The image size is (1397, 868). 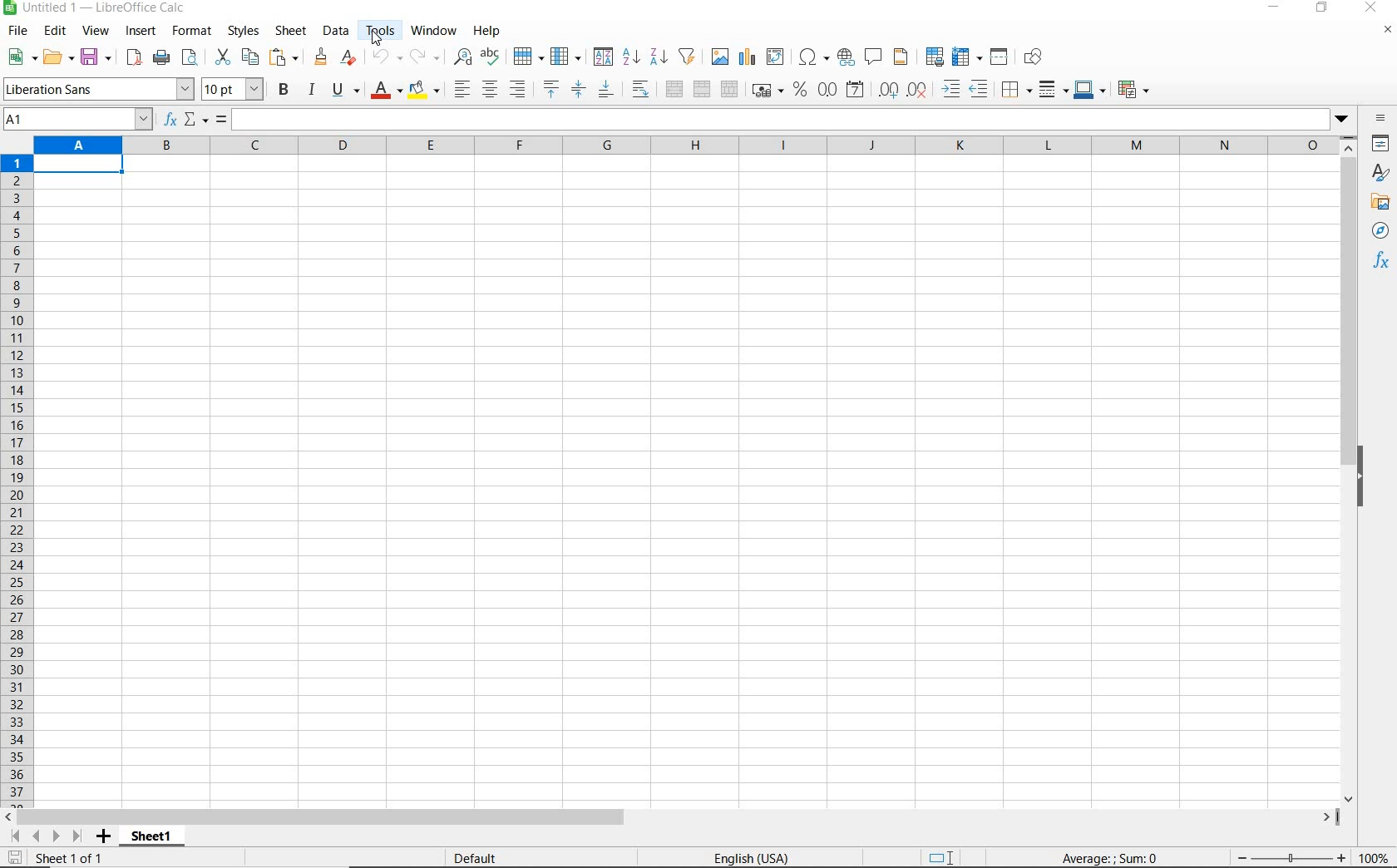 I want to click on align left, so click(x=462, y=90).